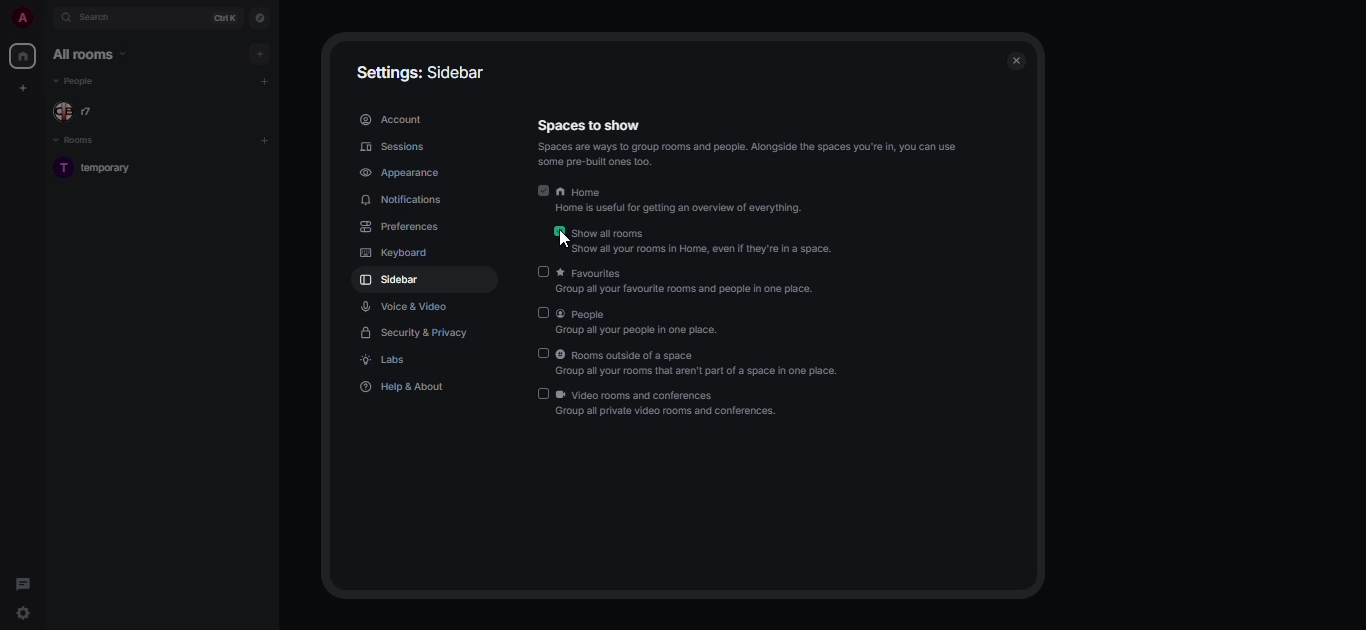 Image resolution: width=1366 pixels, height=630 pixels. What do you see at coordinates (682, 201) in the screenshot?
I see `home` at bounding box center [682, 201].